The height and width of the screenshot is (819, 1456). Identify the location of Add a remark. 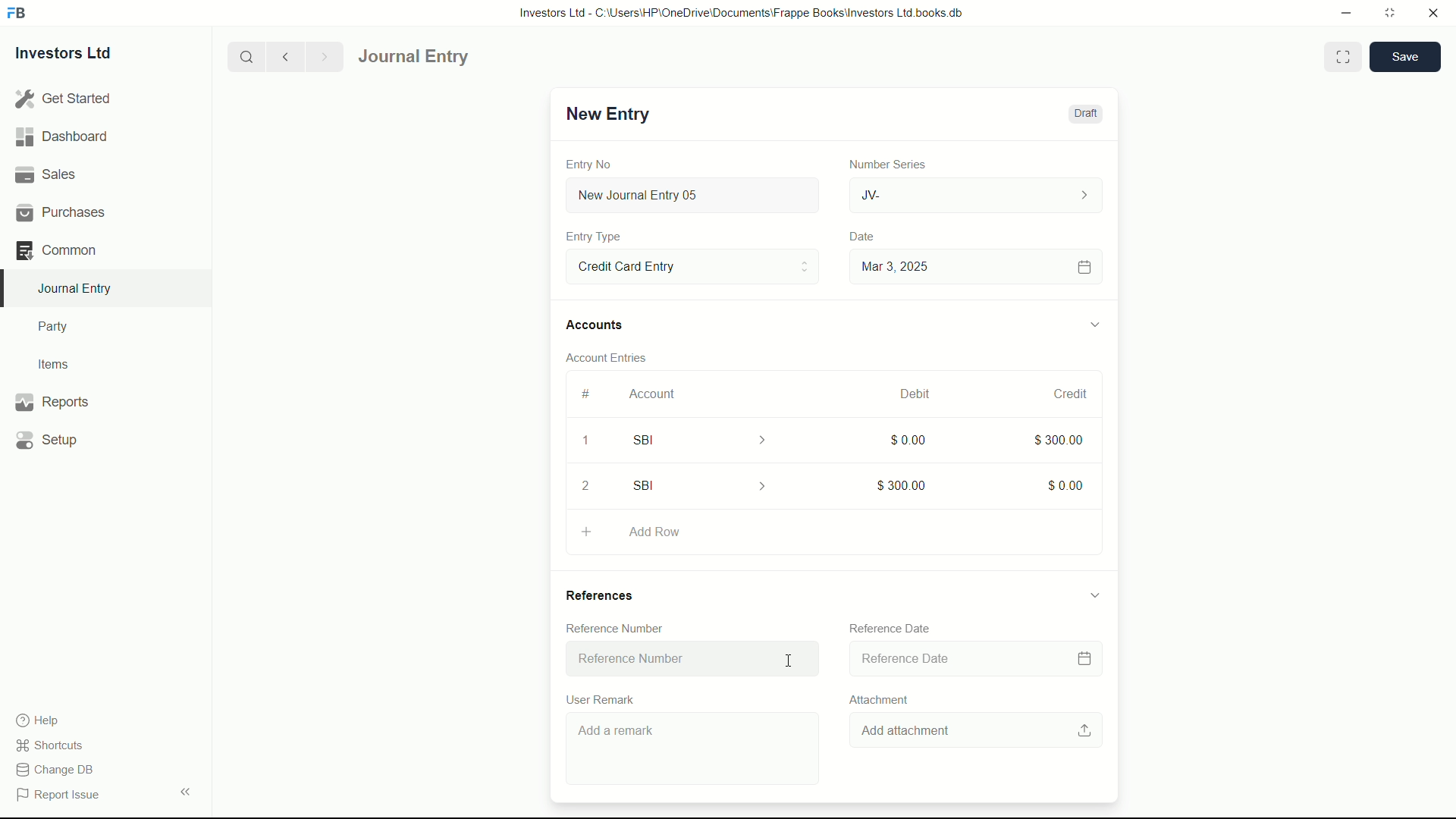
(695, 752).